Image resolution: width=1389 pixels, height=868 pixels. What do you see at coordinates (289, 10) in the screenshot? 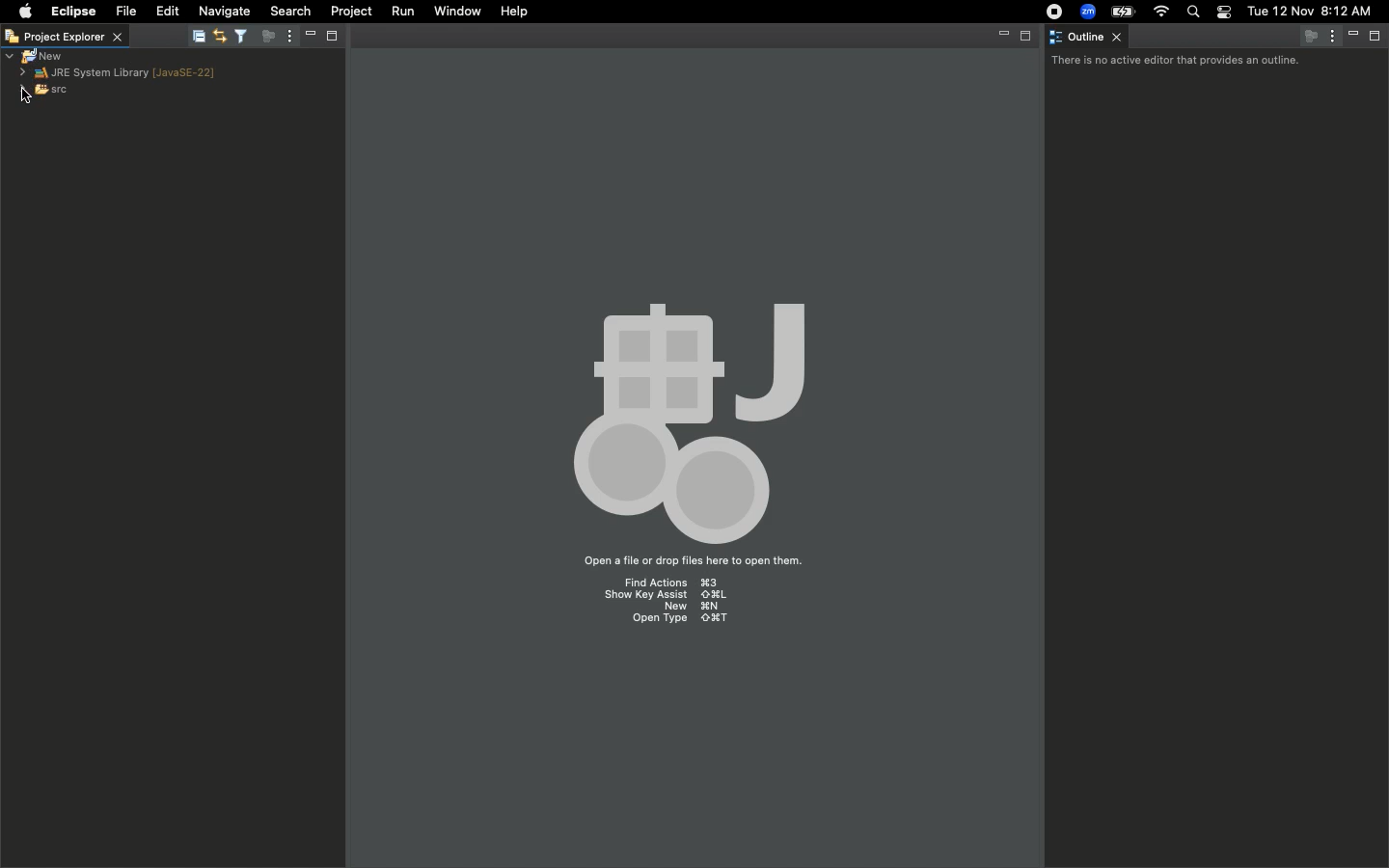
I see `Search` at bounding box center [289, 10].